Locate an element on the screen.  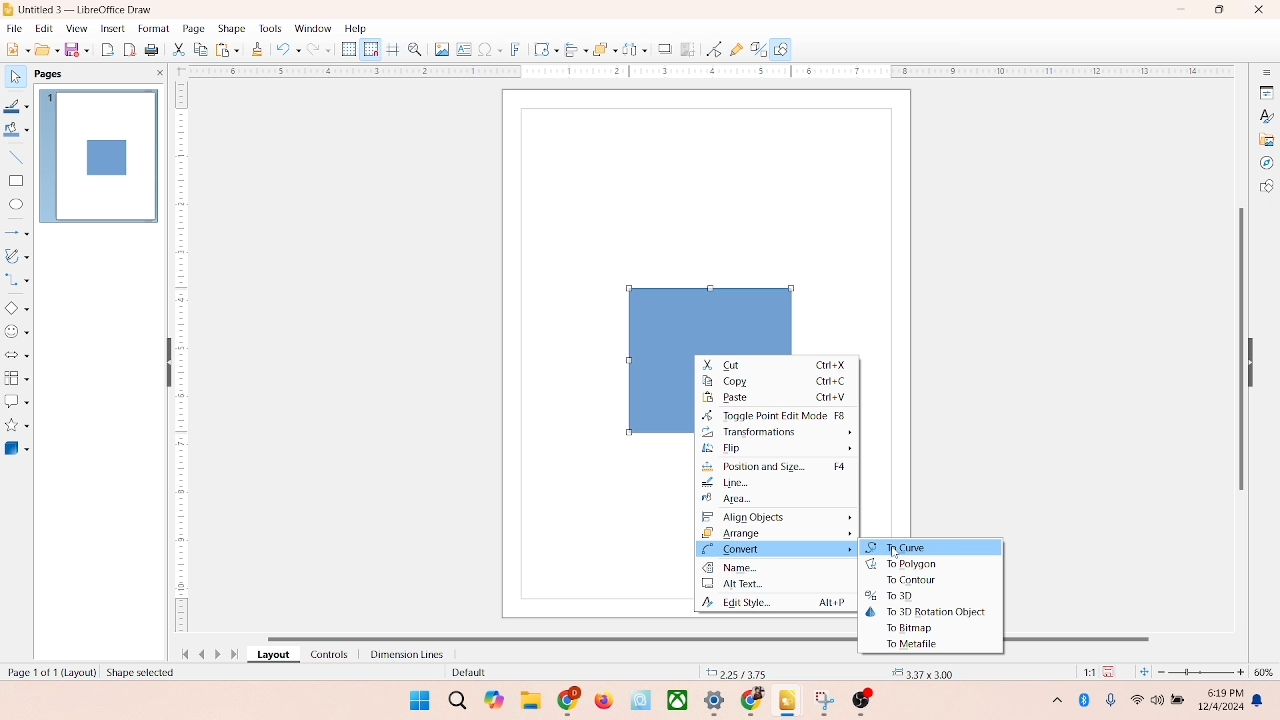
coordinates is located at coordinates (737, 671).